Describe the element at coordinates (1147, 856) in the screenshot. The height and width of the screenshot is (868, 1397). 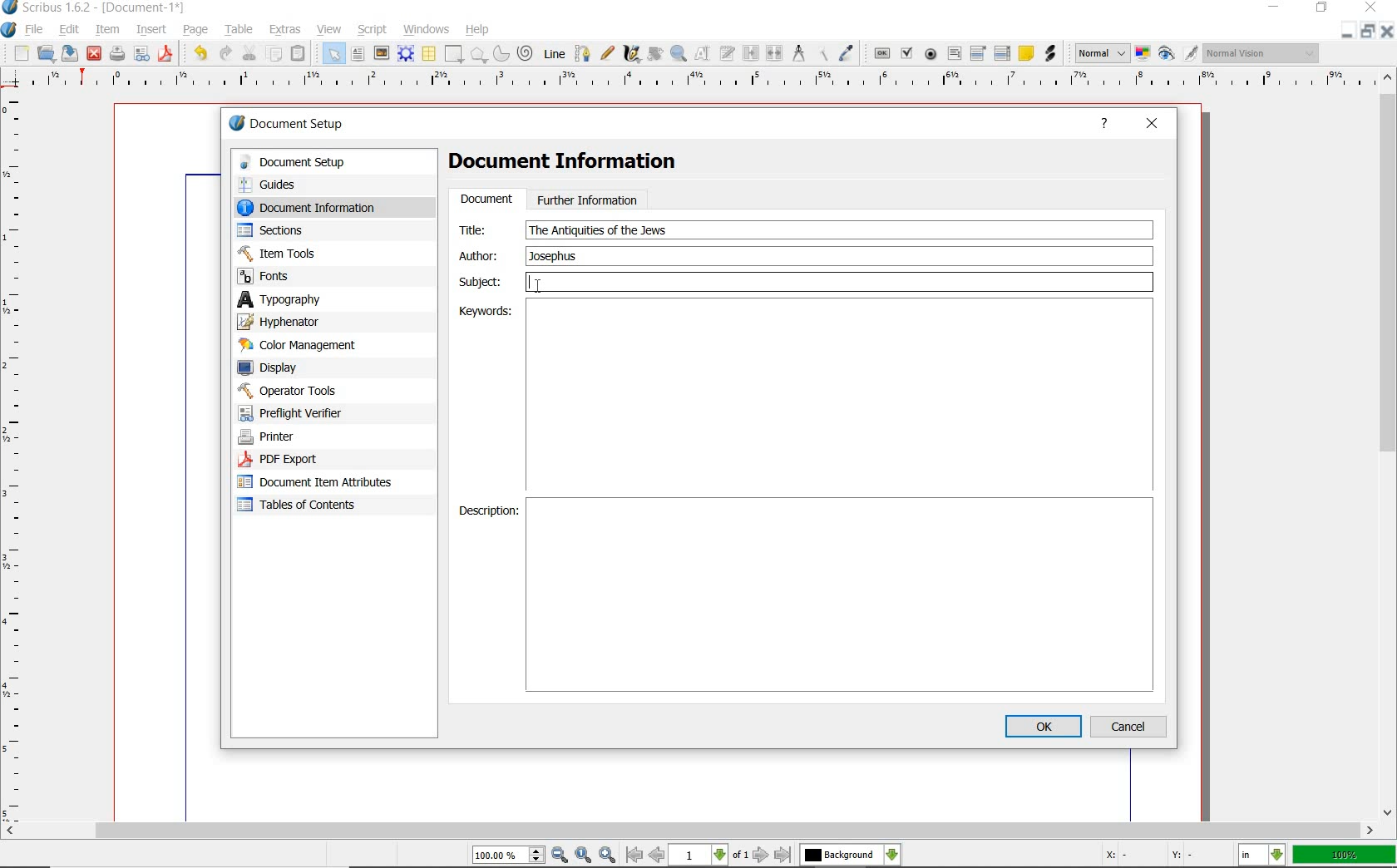
I see `coordinates` at that location.